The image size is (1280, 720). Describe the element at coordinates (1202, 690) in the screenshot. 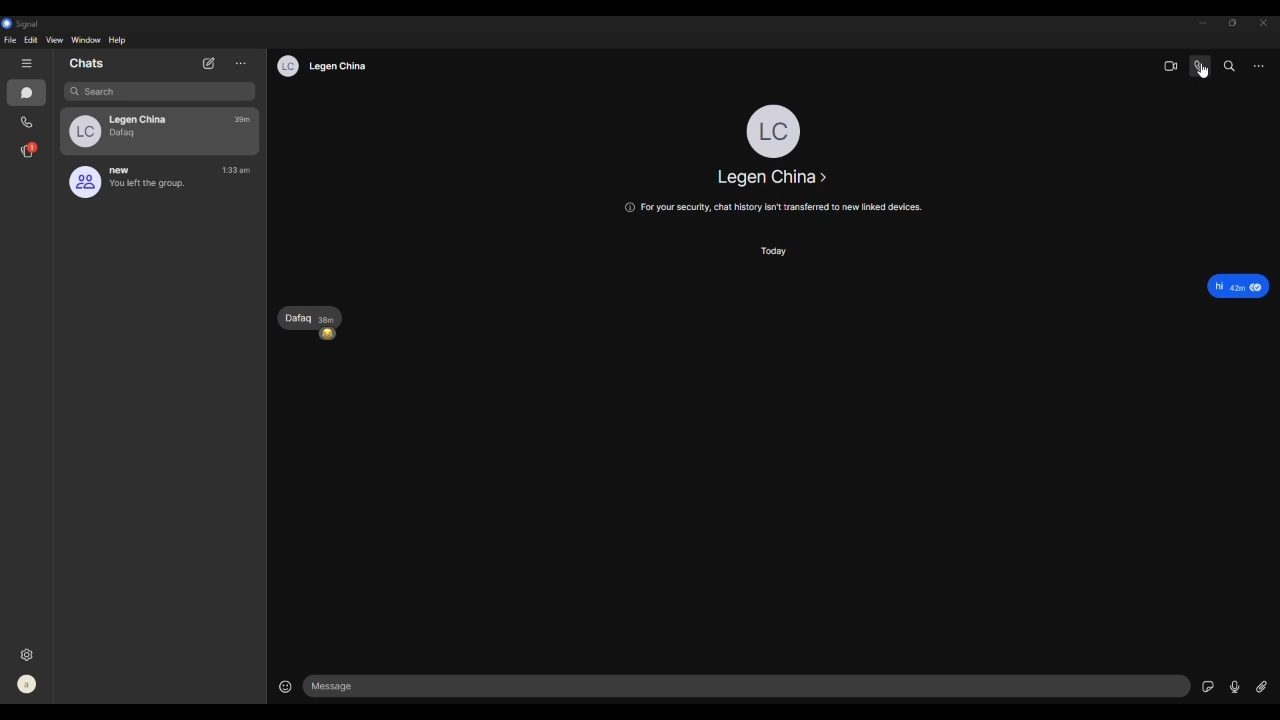

I see `sticker` at that location.